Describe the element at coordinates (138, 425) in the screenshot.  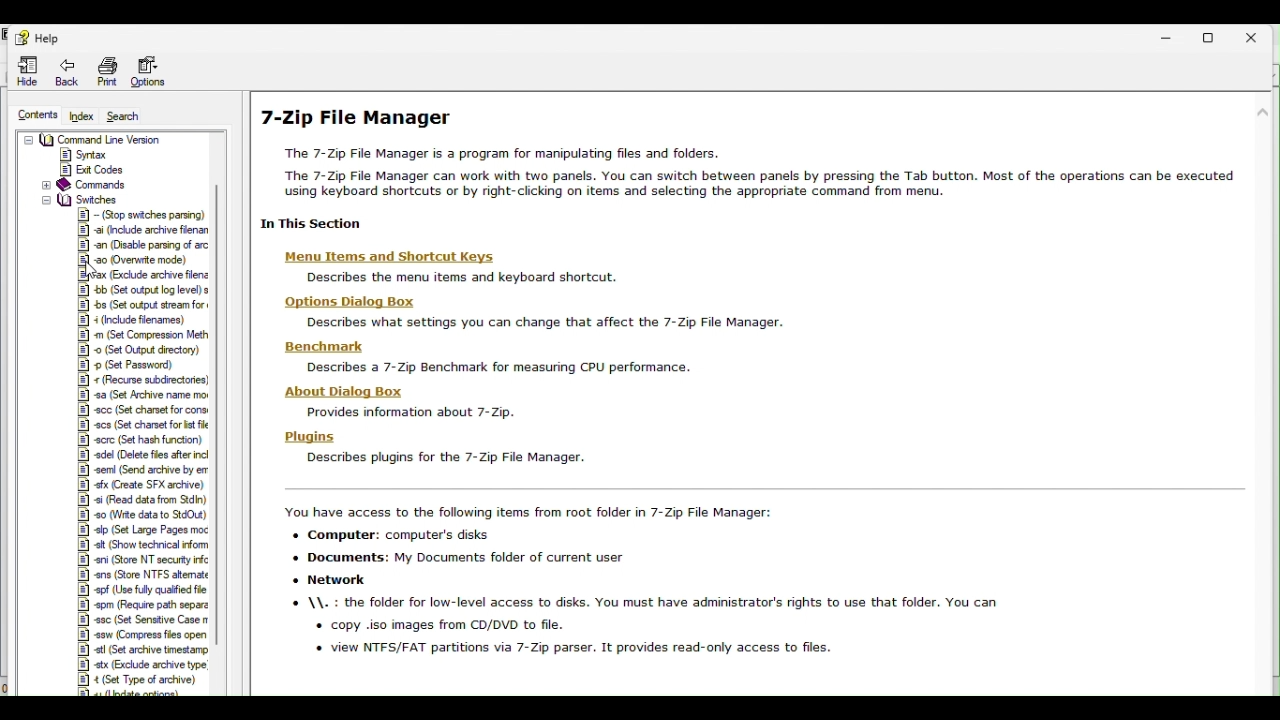
I see `|&] acs (Set charset for lst file` at that location.